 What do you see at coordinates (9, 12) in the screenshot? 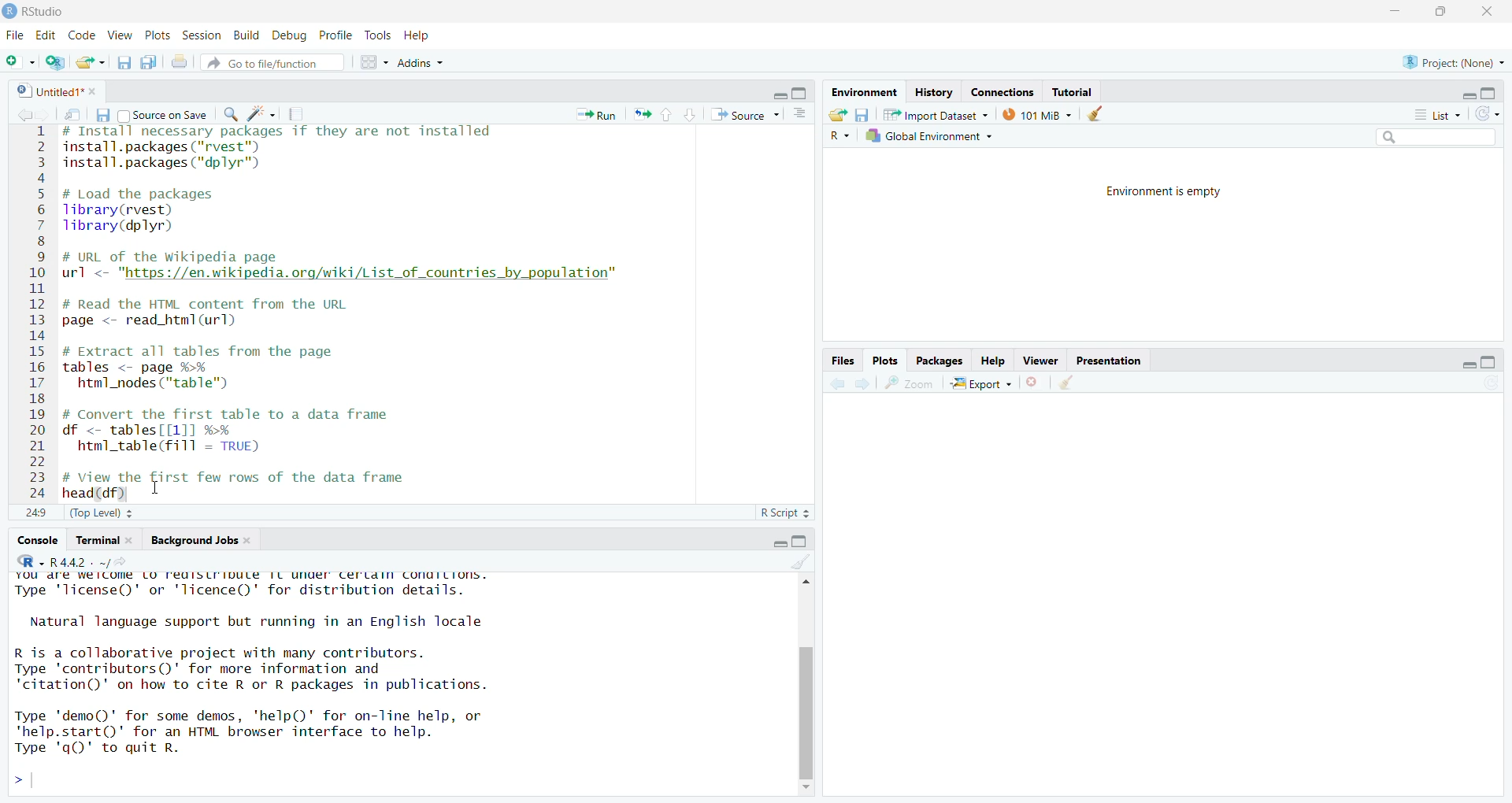
I see `logo` at bounding box center [9, 12].